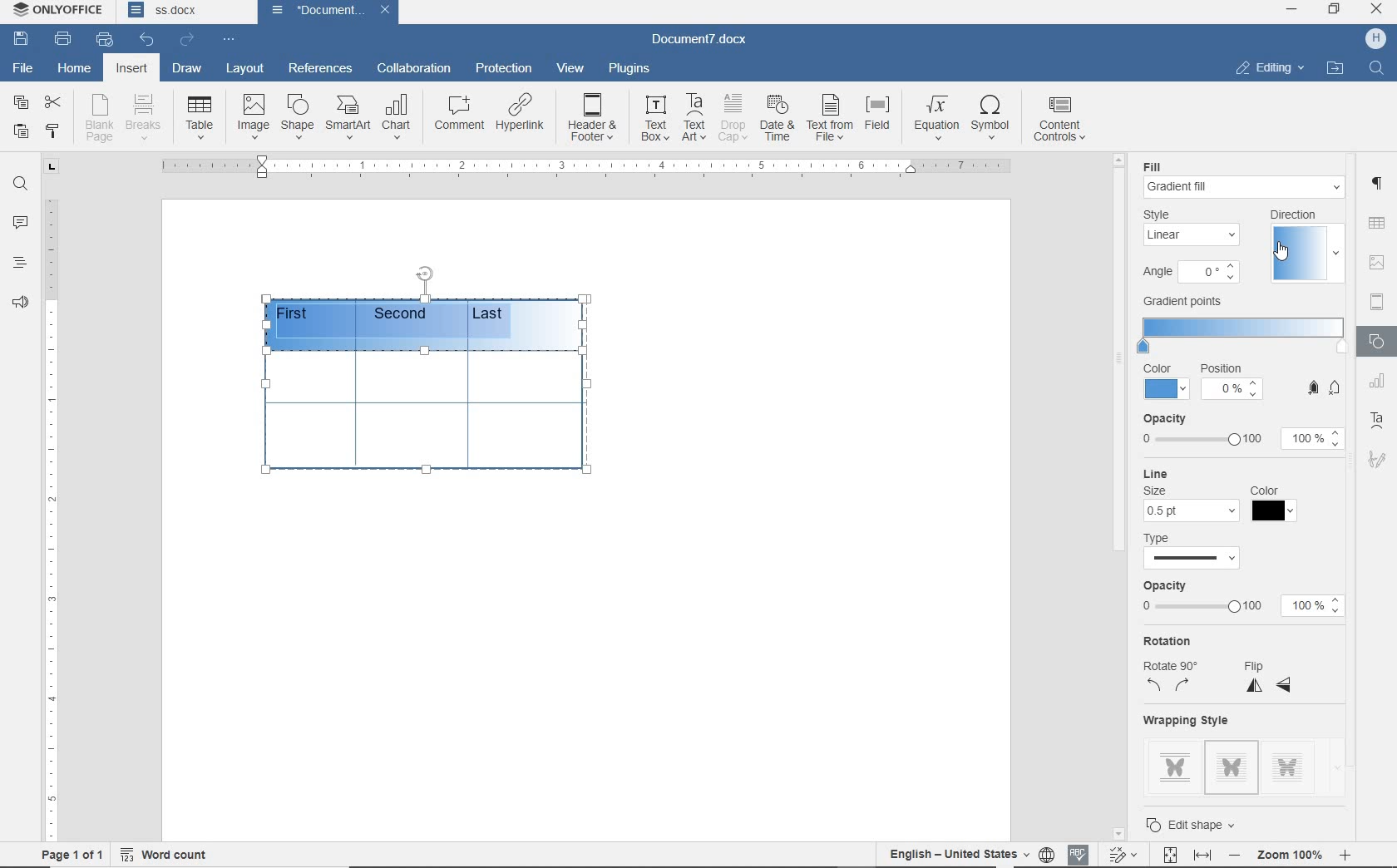 The width and height of the screenshot is (1397, 868). Describe the element at coordinates (1161, 491) in the screenshot. I see `size` at that location.